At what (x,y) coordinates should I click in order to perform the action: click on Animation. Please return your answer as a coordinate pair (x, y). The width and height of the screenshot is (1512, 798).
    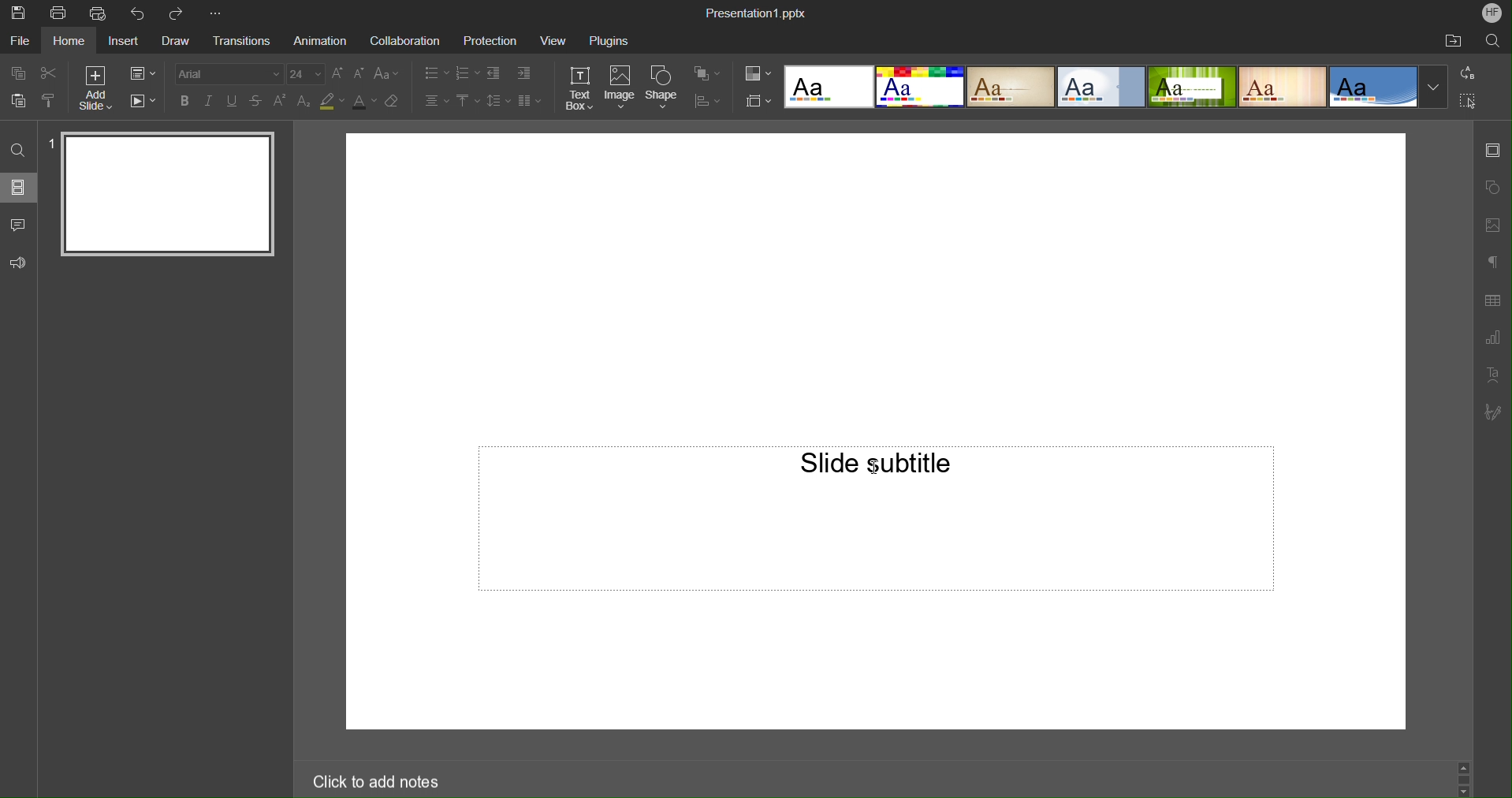
    Looking at the image, I should click on (318, 41).